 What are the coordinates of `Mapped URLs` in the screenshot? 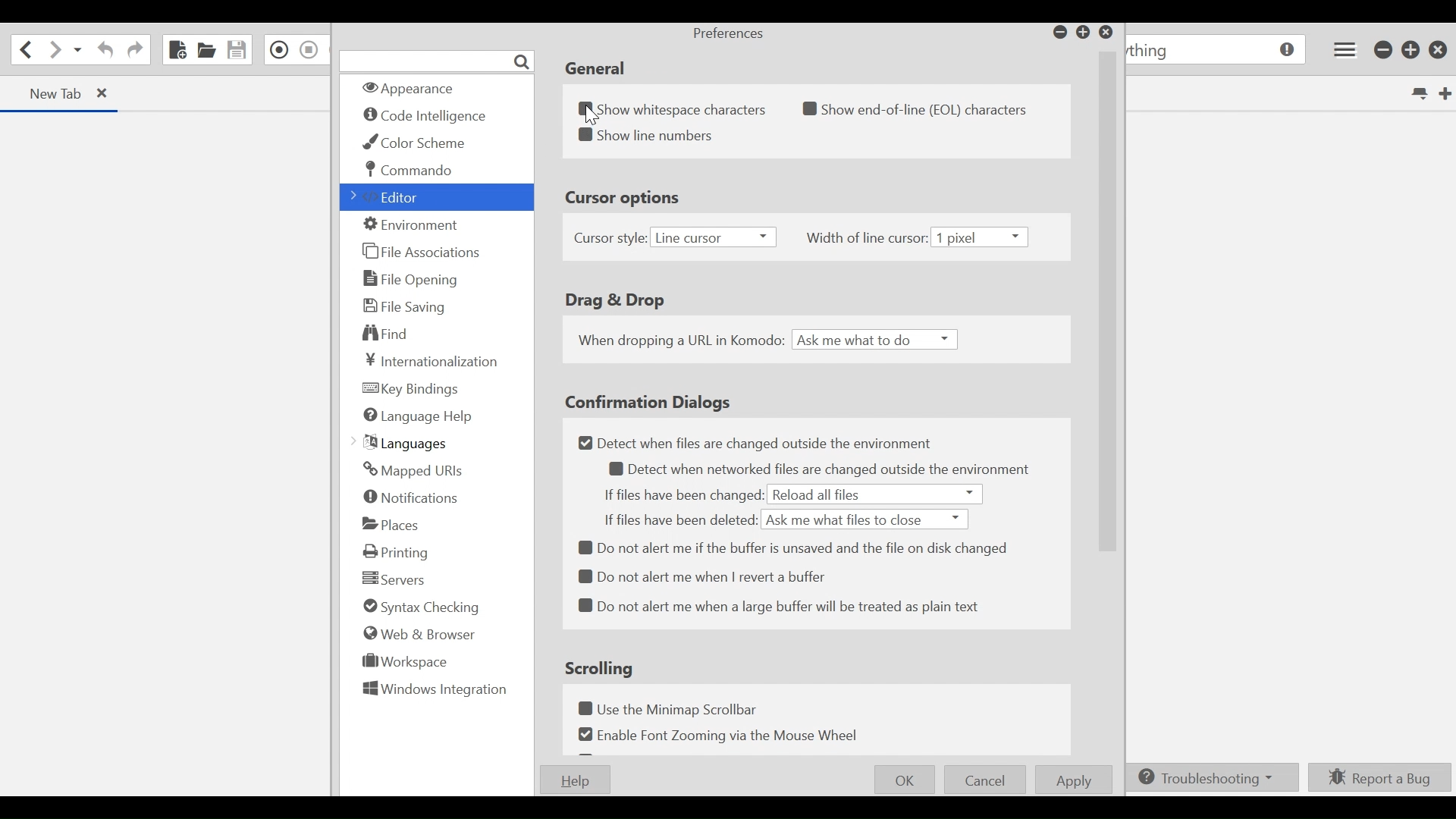 It's located at (413, 470).